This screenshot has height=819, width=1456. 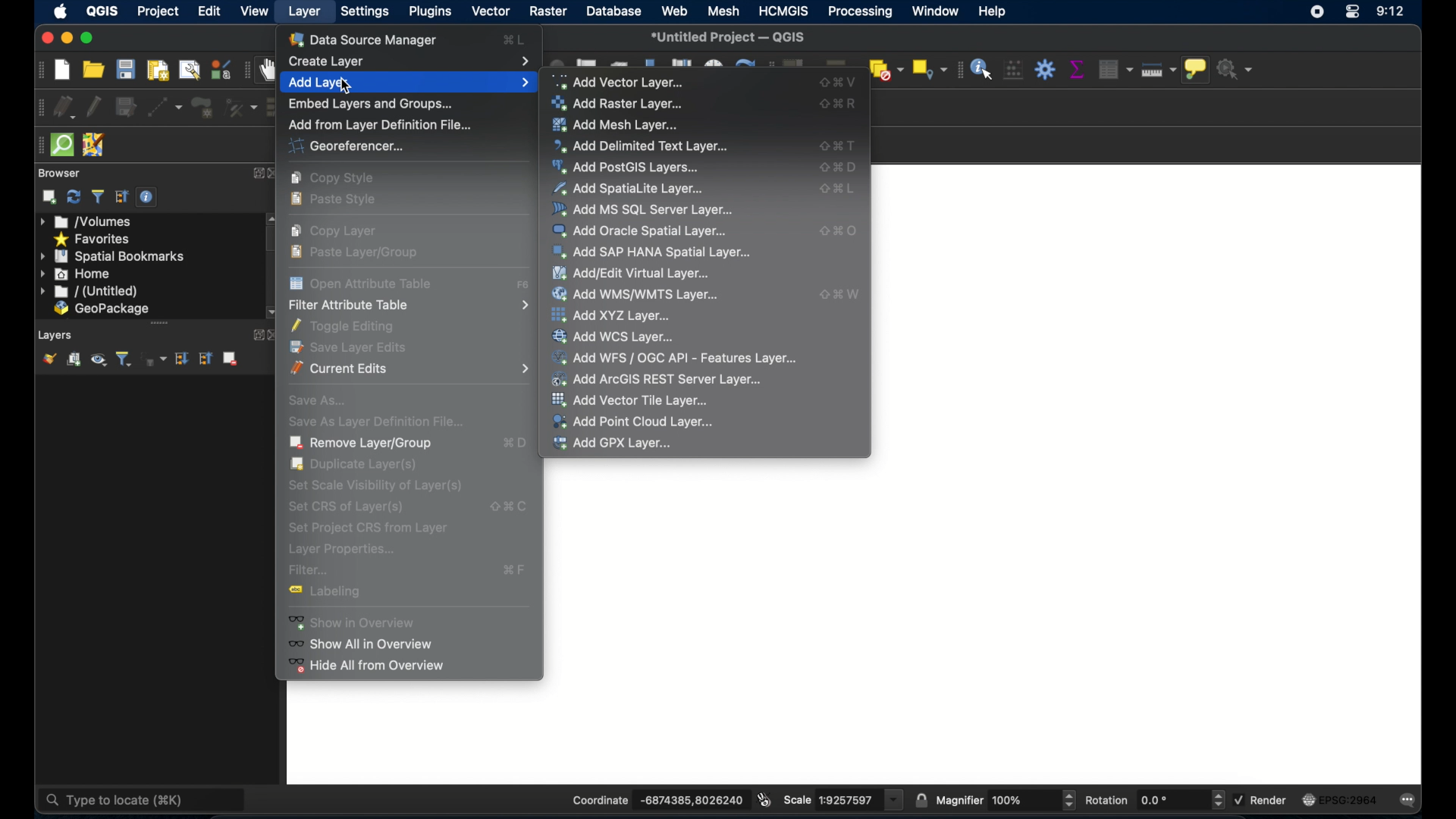 I want to click on enable/disable properties widget, so click(x=149, y=199).